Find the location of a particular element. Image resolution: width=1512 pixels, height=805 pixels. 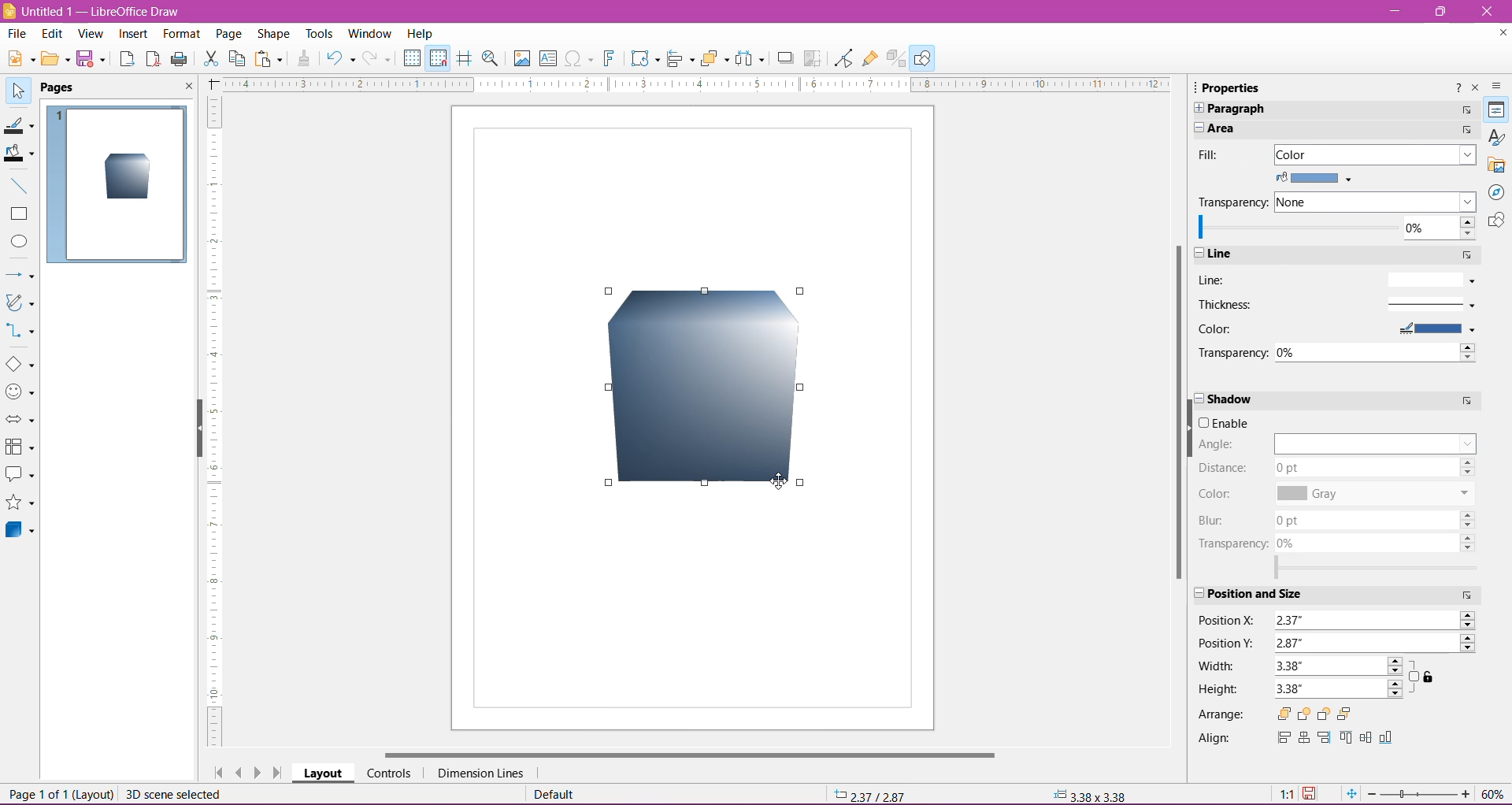

Forward One is located at coordinates (1303, 715).